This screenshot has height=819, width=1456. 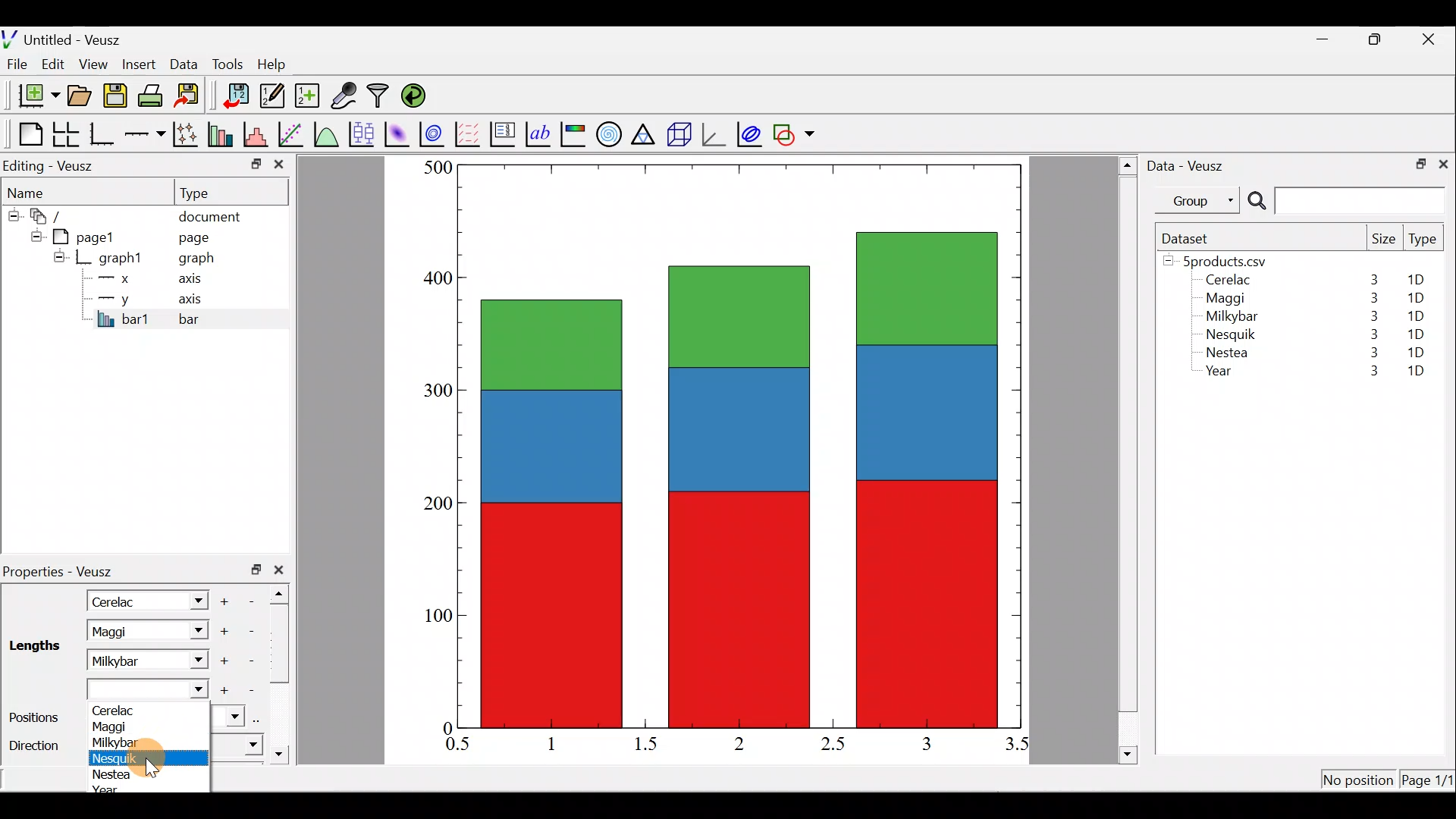 I want to click on Size, so click(x=1383, y=240).